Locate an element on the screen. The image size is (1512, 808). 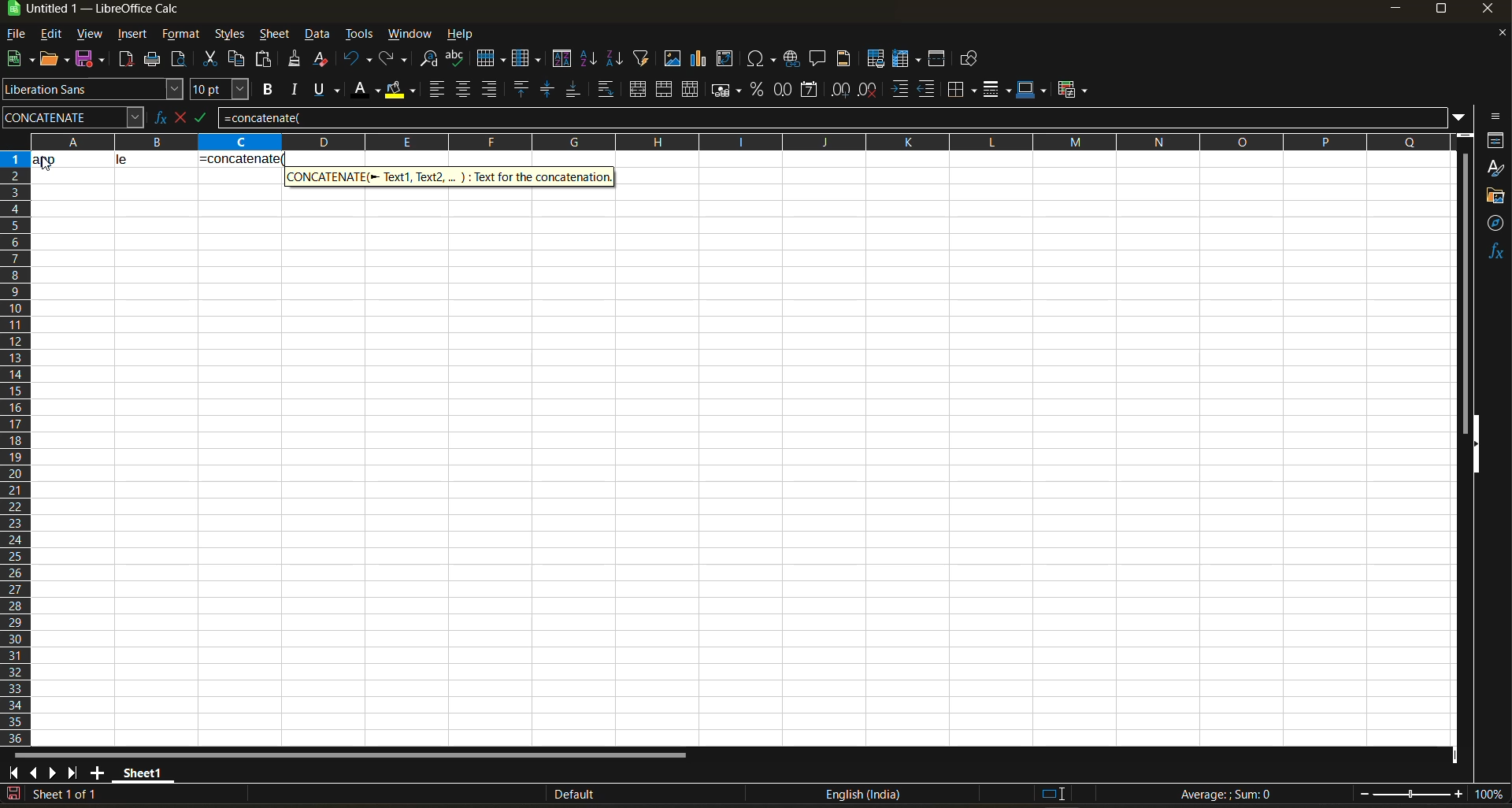
toggle print preview is located at coordinates (180, 61).